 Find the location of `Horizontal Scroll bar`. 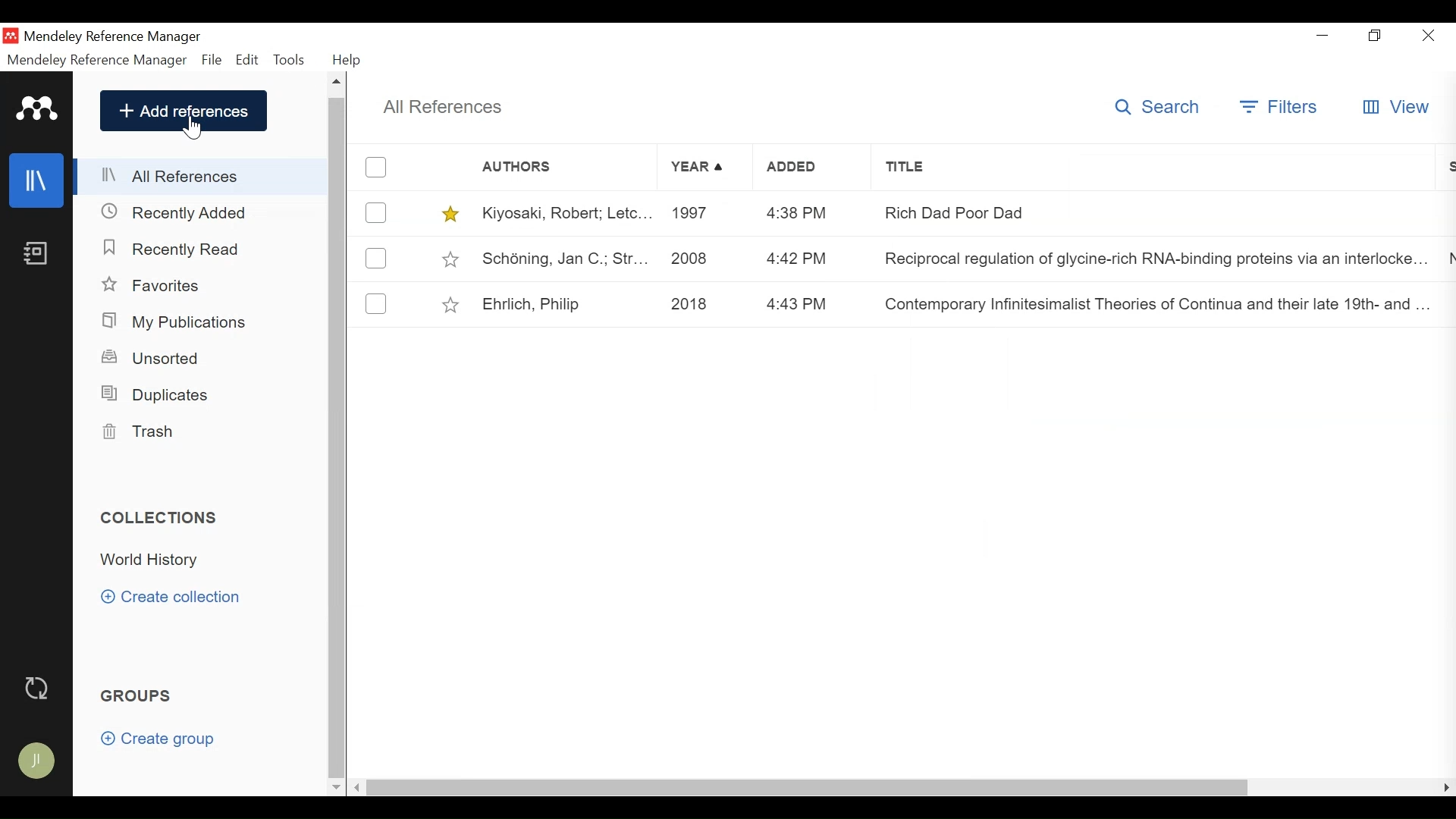

Horizontal Scroll bar is located at coordinates (814, 787).